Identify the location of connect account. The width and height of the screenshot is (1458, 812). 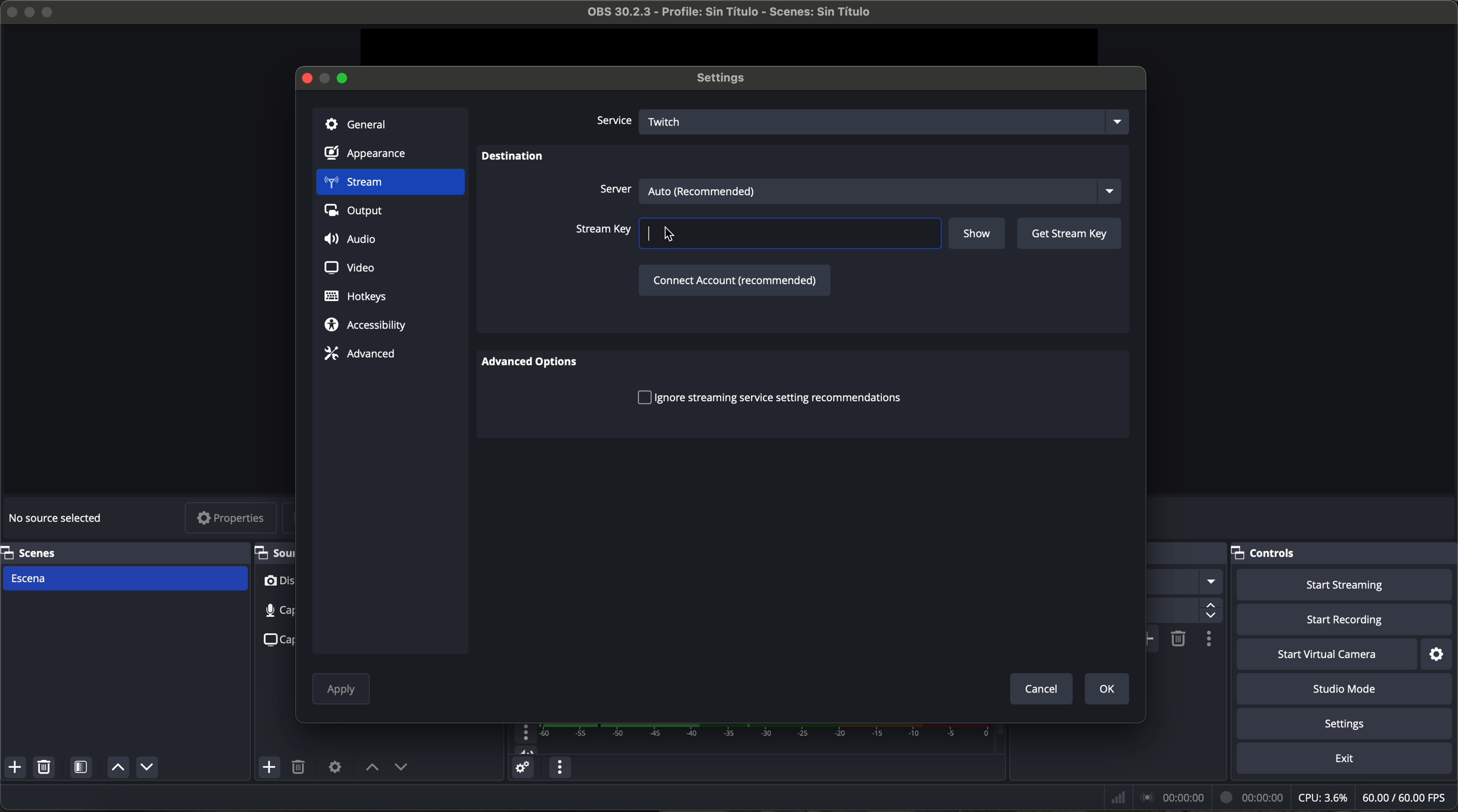
(732, 279).